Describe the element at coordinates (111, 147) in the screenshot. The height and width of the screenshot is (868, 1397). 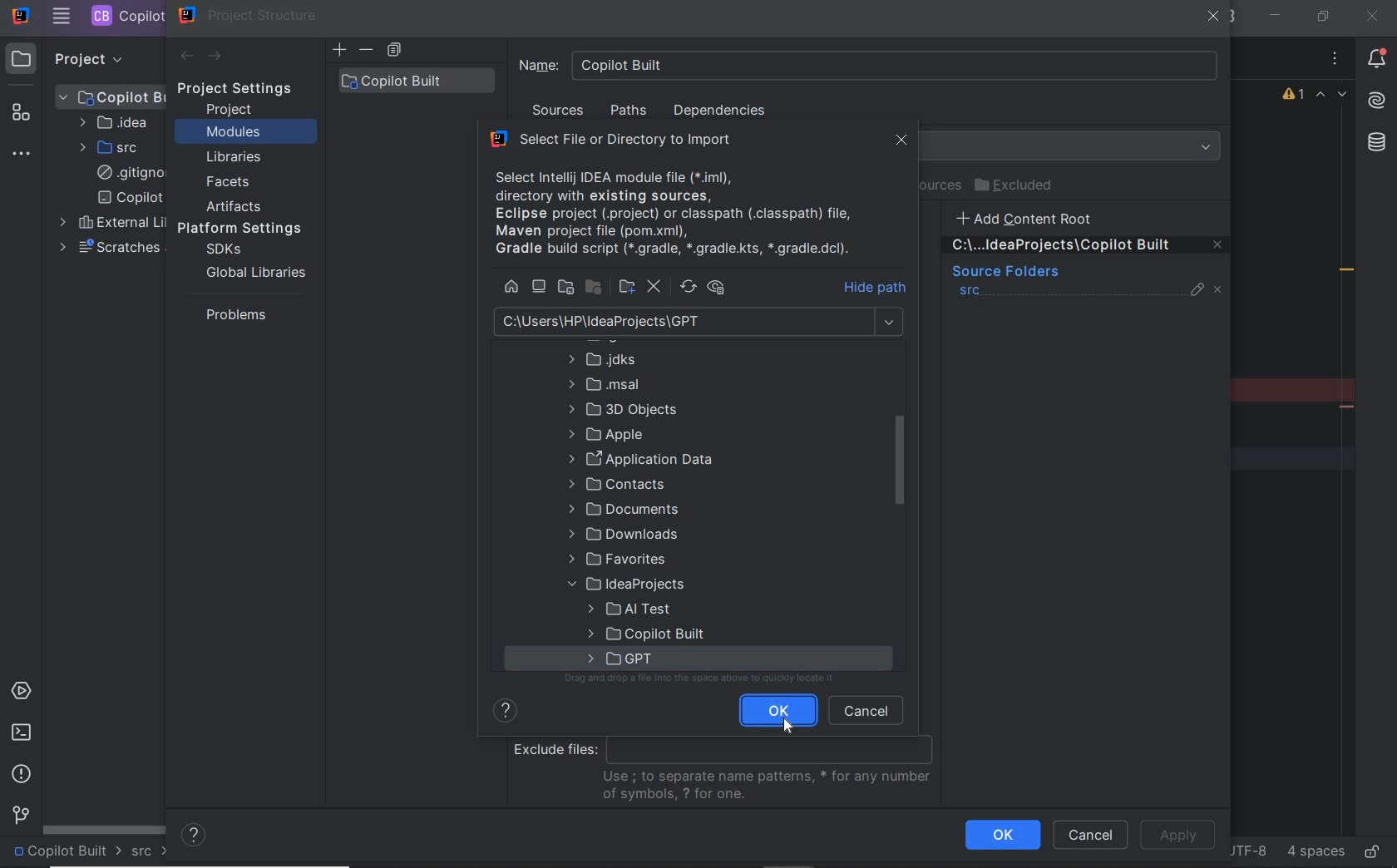
I see `SRC` at that location.